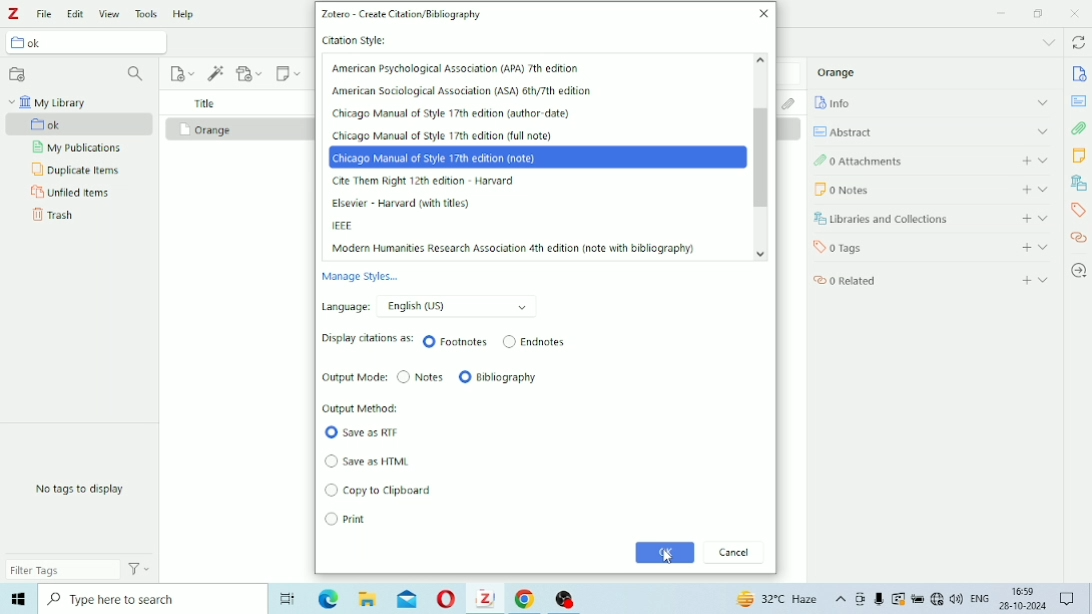  Describe the element at coordinates (1078, 237) in the screenshot. I see `Related` at that location.